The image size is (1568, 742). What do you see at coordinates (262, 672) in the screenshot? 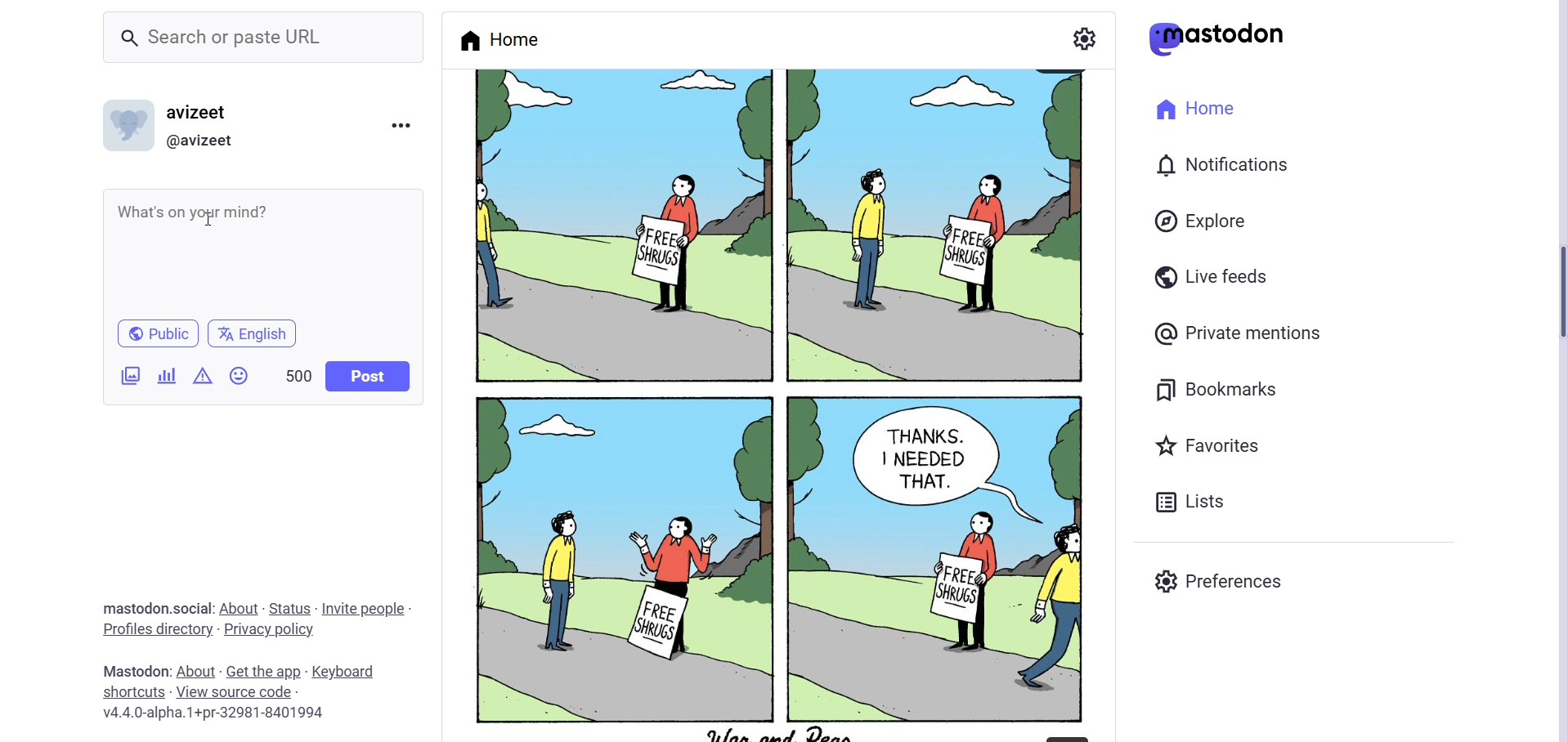
I see `Get the app` at bounding box center [262, 672].